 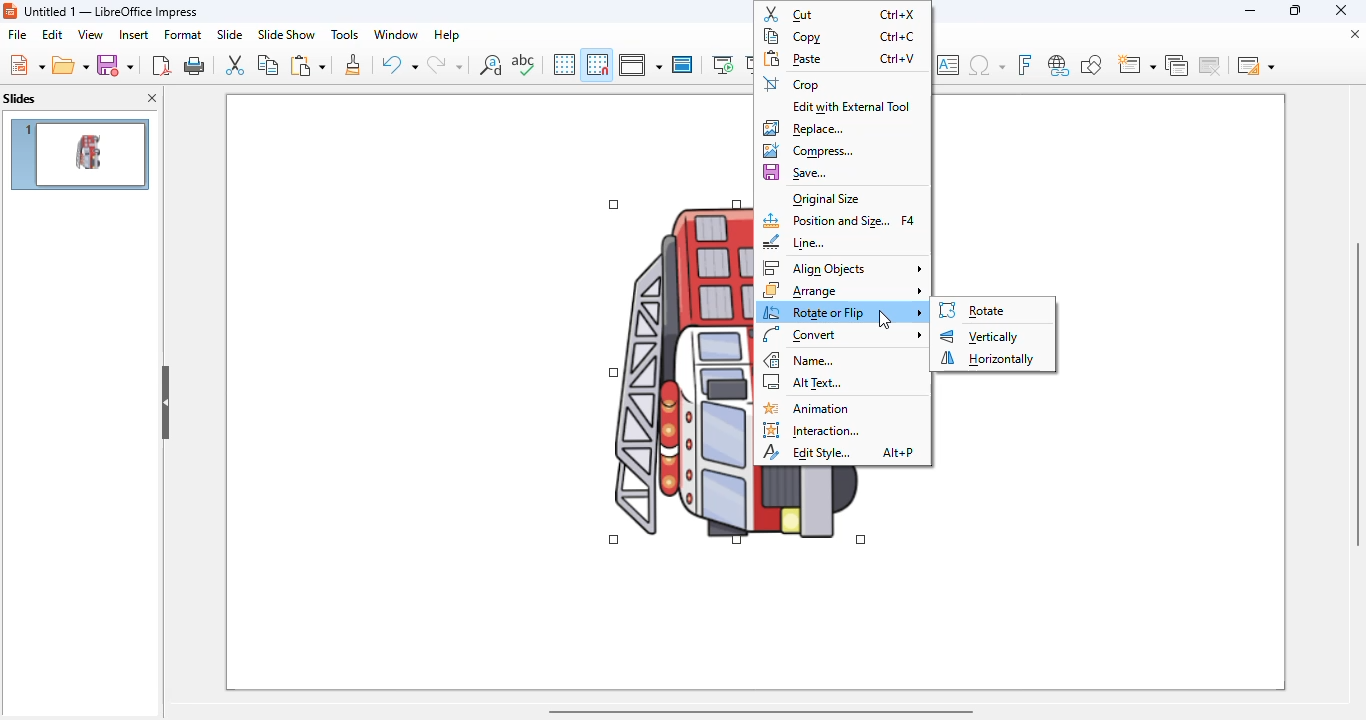 What do you see at coordinates (885, 319) in the screenshot?
I see `cursor` at bounding box center [885, 319].